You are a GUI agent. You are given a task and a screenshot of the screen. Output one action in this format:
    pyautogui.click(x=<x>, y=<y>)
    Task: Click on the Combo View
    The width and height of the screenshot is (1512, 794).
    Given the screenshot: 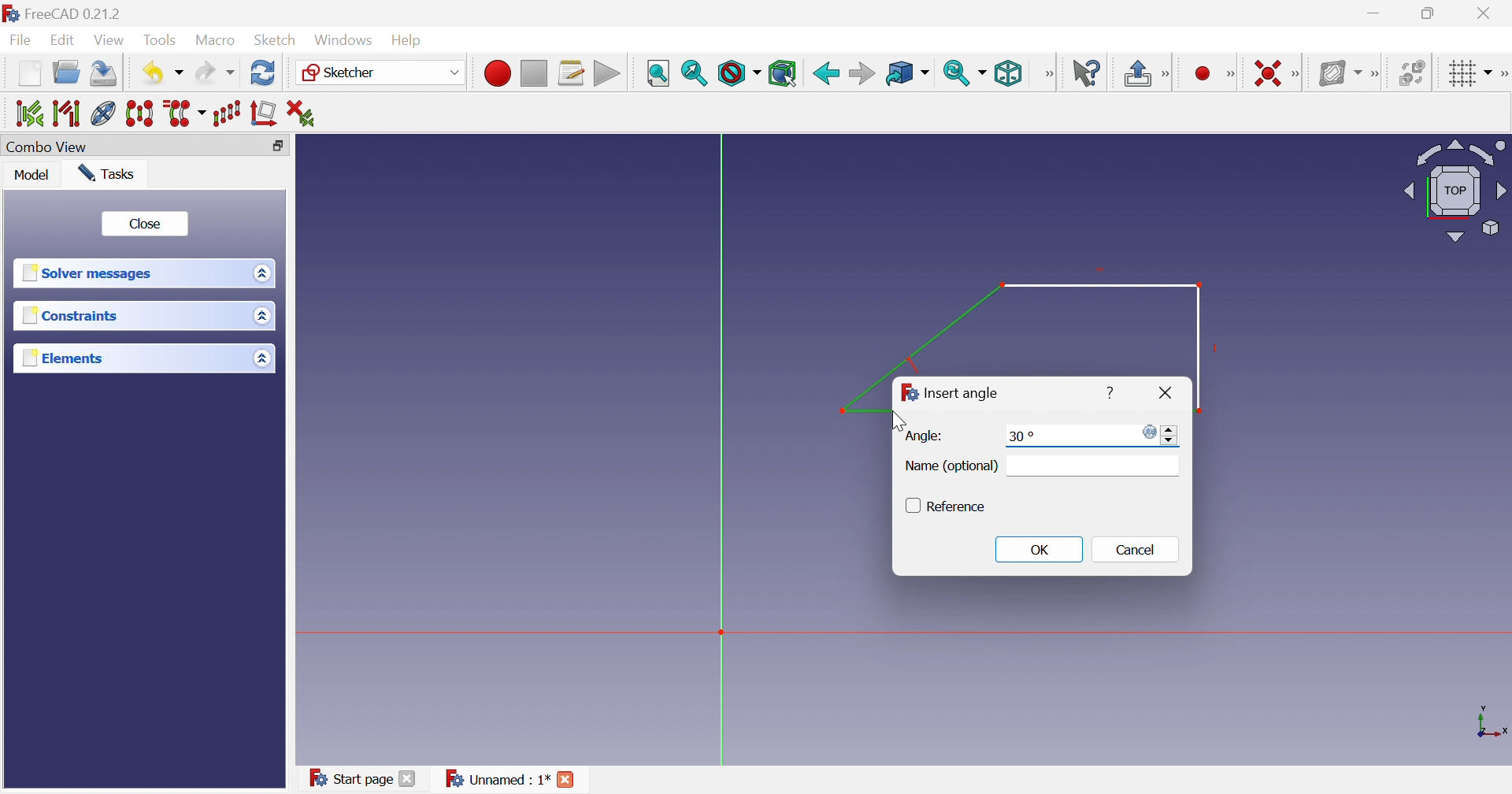 What is the action you would take?
    pyautogui.click(x=50, y=147)
    